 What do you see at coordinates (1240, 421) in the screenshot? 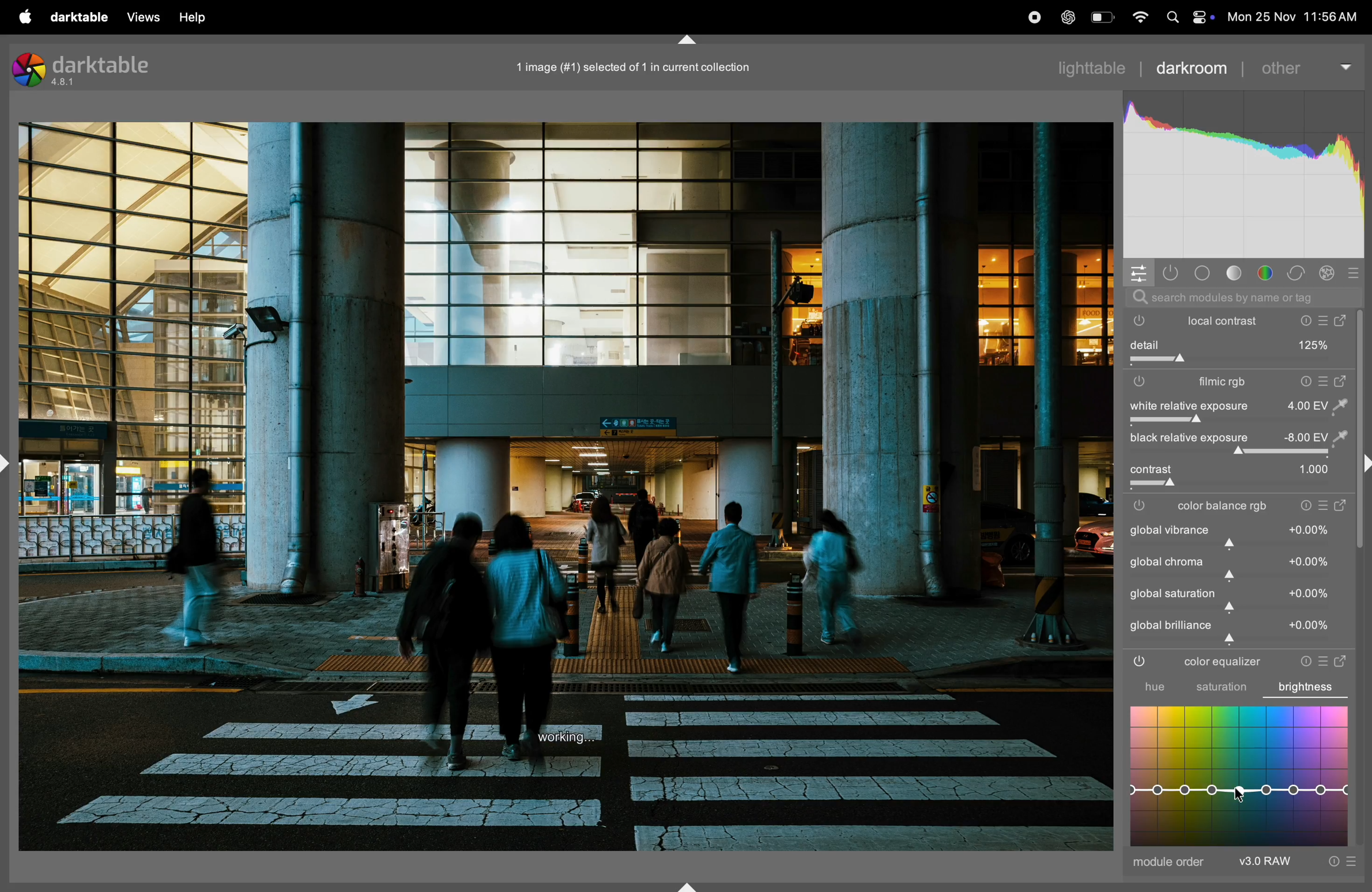
I see `slider` at bounding box center [1240, 421].